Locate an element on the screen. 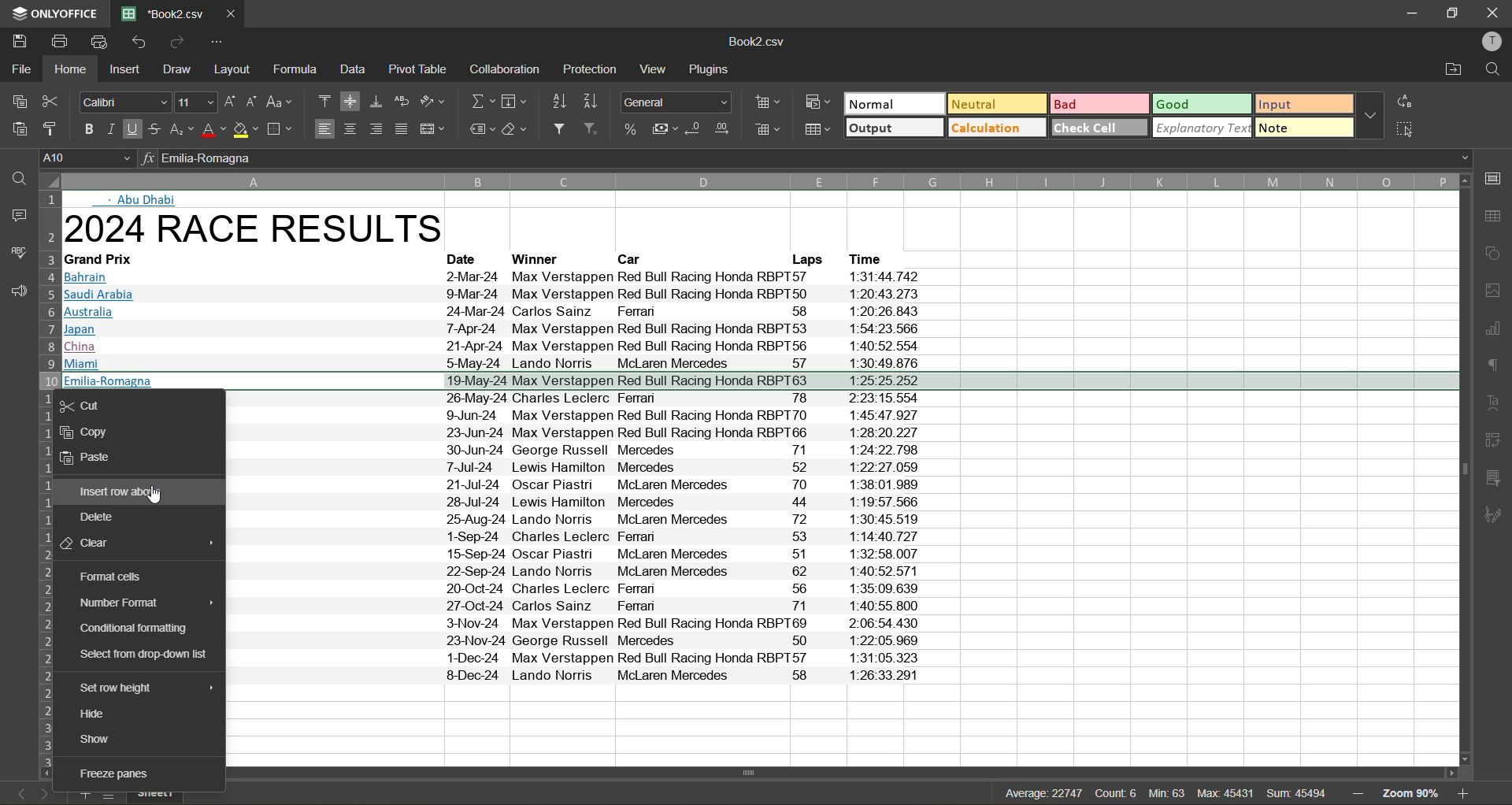  United States 20-Oct-24 Charles Leclerc Ferman 56 1:35:09.639 is located at coordinates (577, 589).